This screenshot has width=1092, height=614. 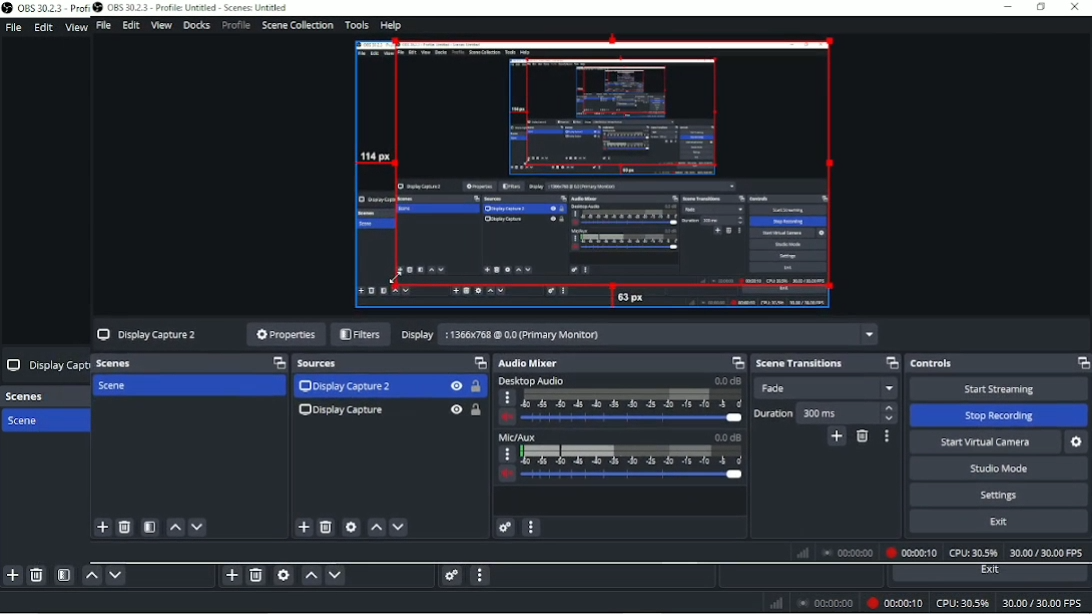 What do you see at coordinates (483, 576) in the screenshot?
I see `Audio mixer menu` at bounding box center [483, 576].